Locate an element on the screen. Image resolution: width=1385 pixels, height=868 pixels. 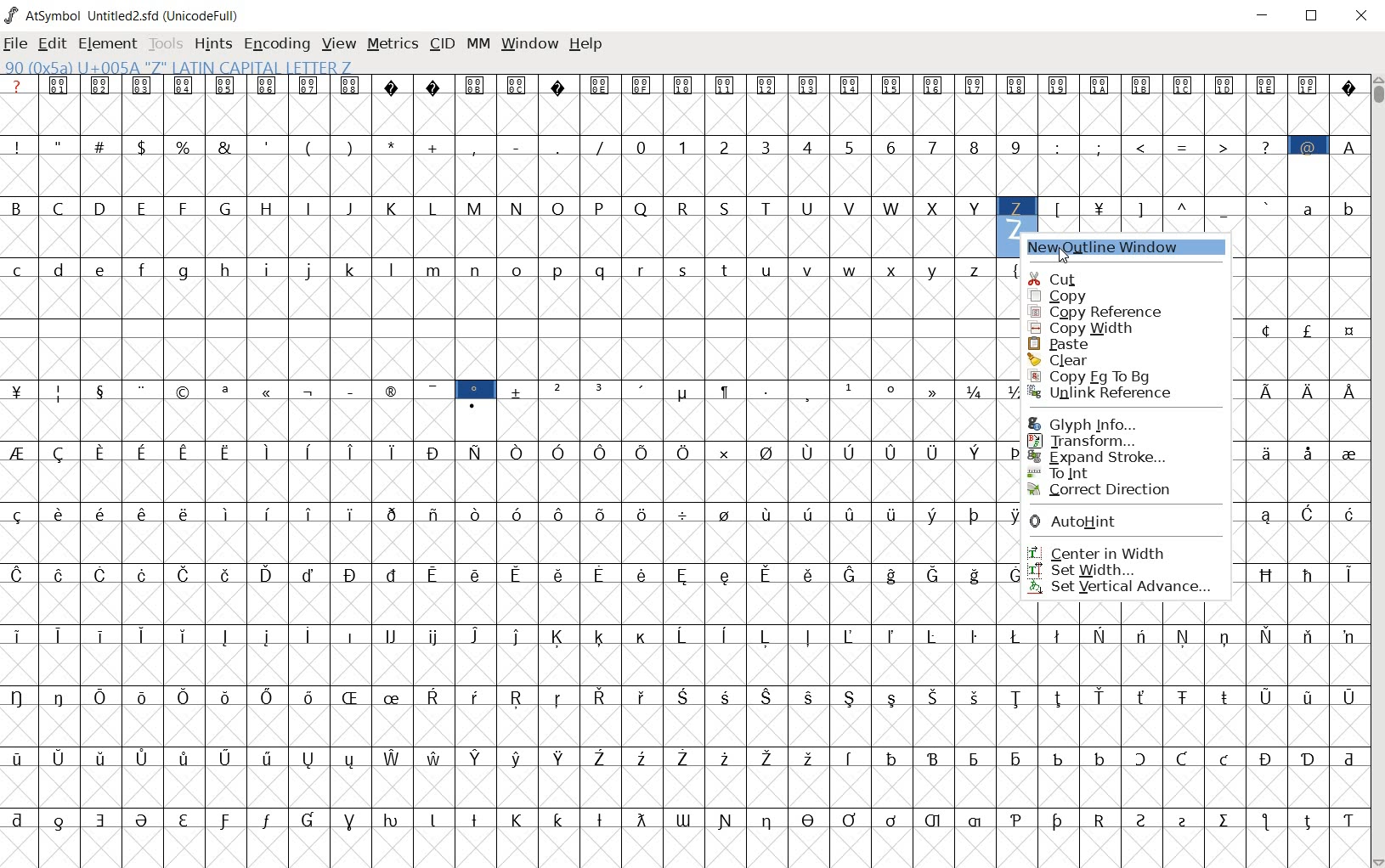
Unlink Reference is located at coordinates (1105, 394).